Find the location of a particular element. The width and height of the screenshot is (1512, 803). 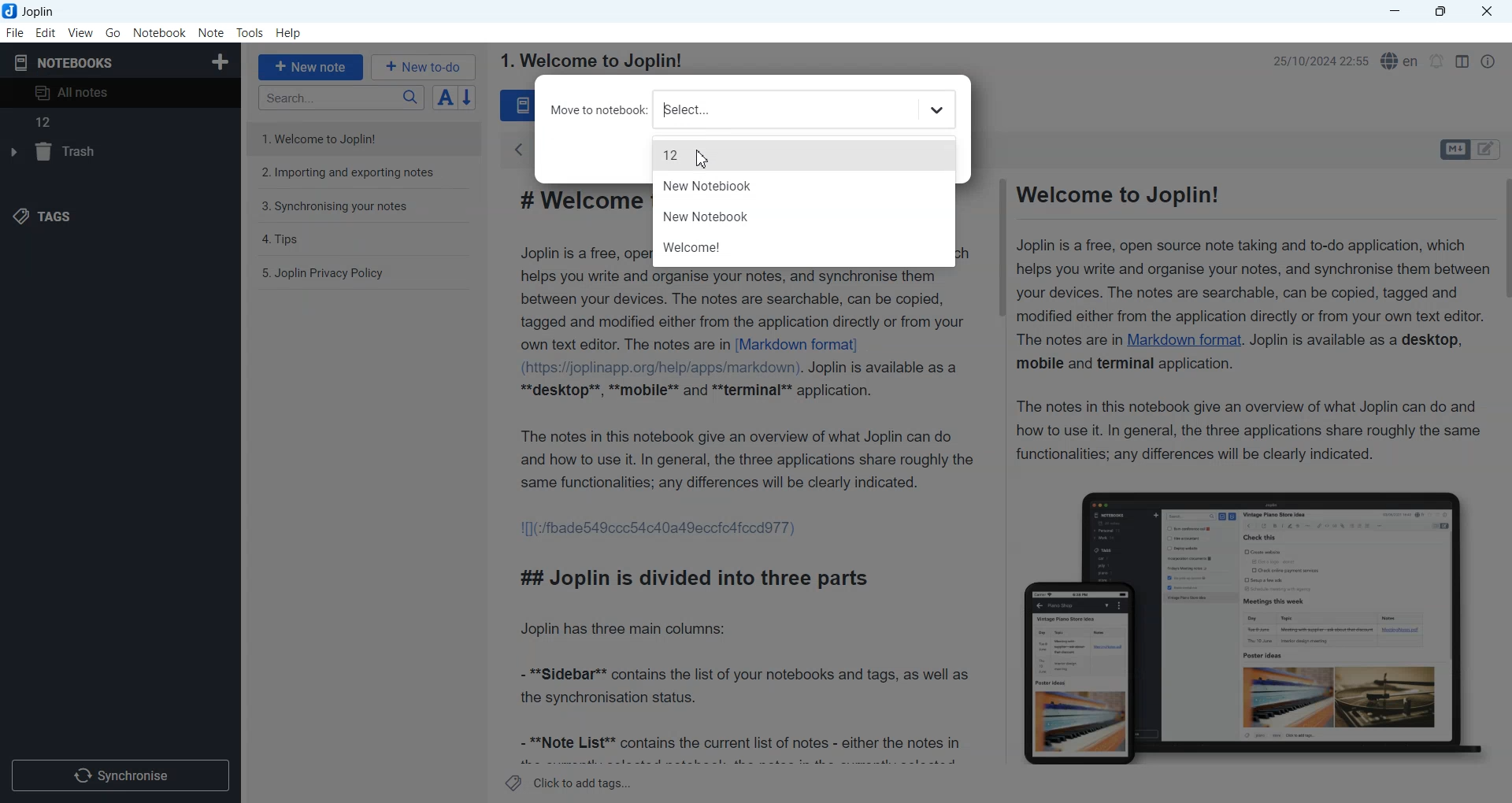

3. Synchronising your notes is located at coordinates (335, 207).